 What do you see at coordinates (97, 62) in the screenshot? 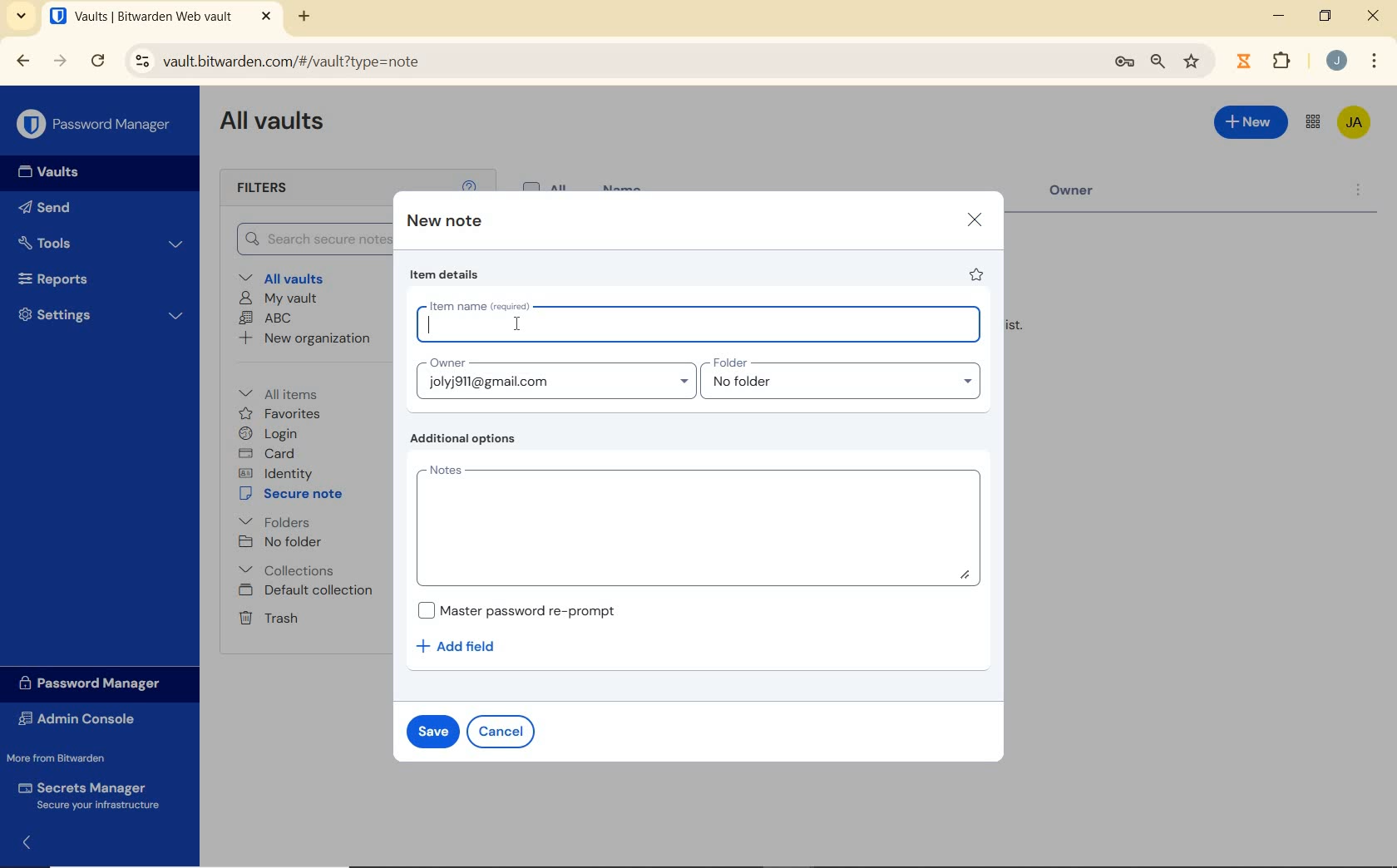
I see `reload` at bounding box center [97, 62].